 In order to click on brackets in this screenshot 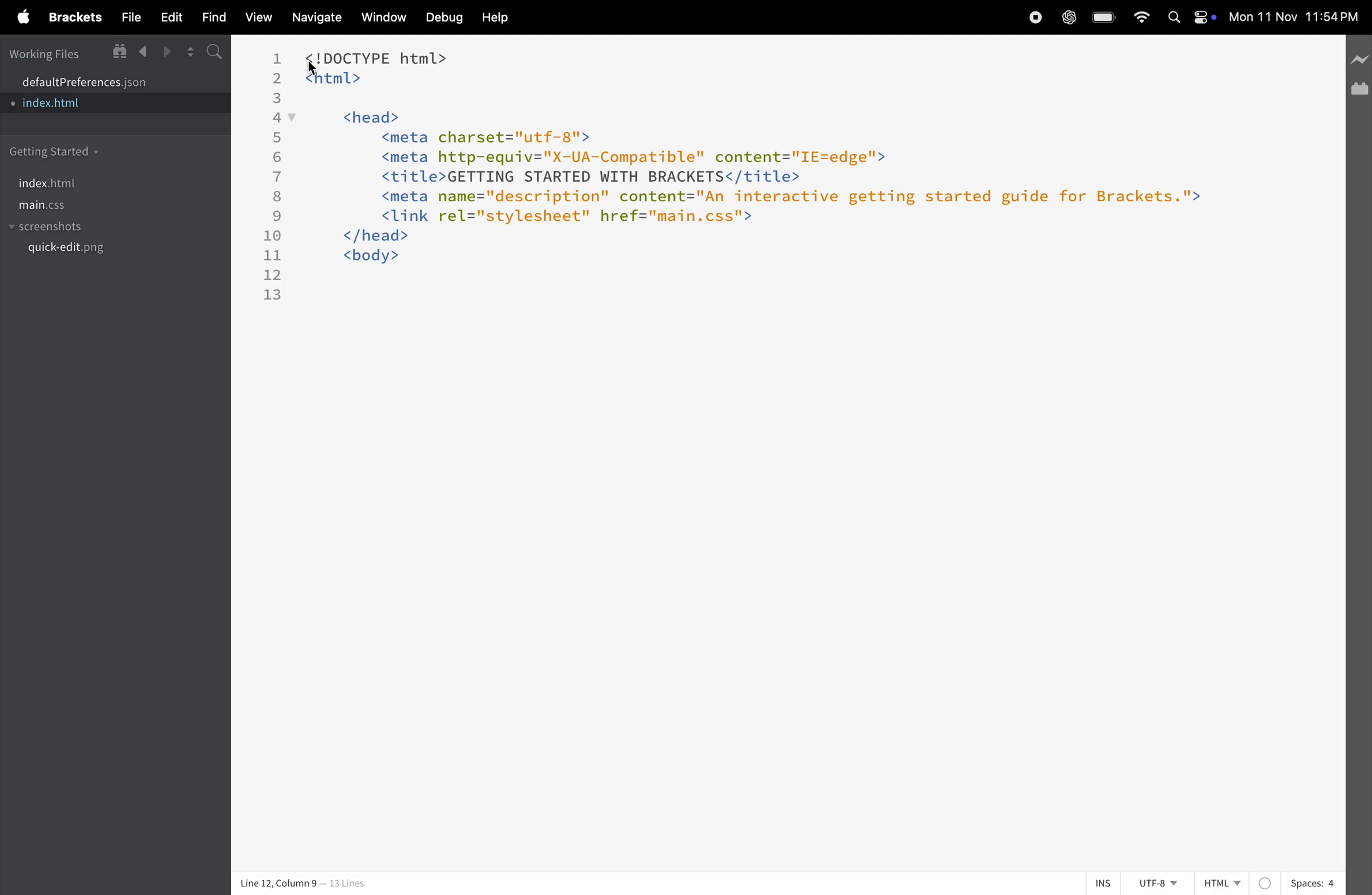, I will do `click(72, 16)`.